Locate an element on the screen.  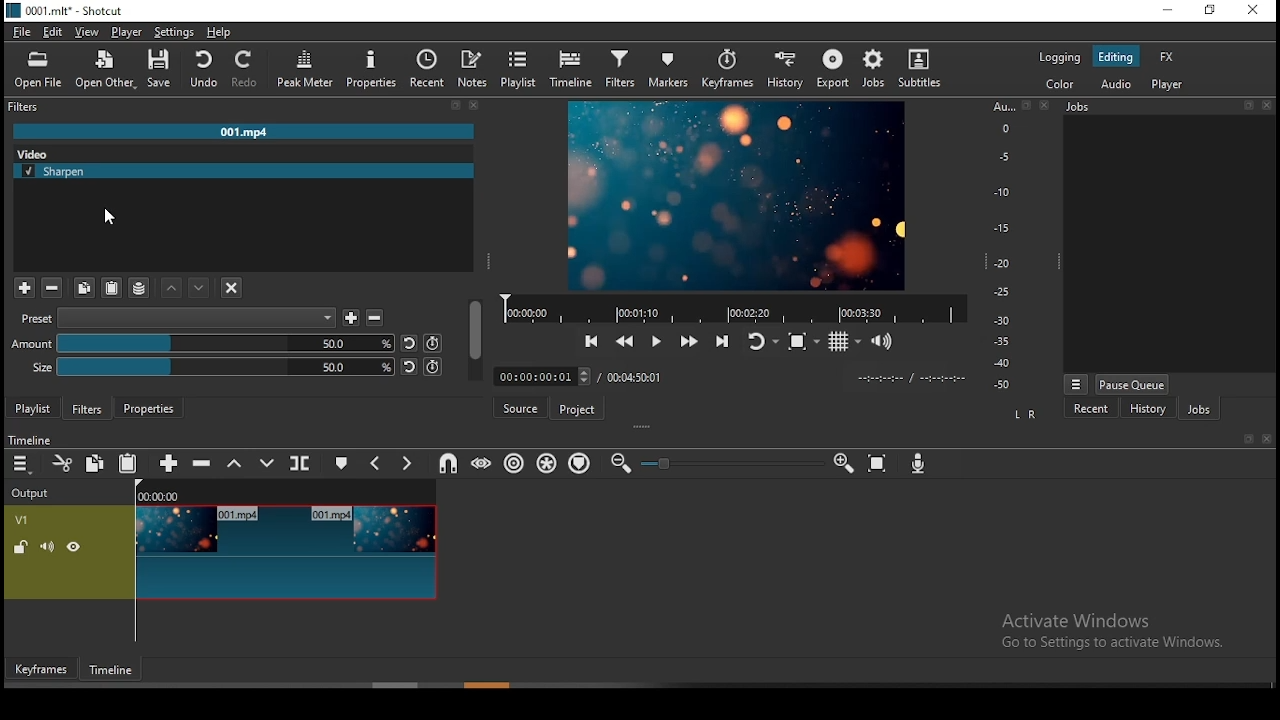
lift is located at coordinates (237, 465).